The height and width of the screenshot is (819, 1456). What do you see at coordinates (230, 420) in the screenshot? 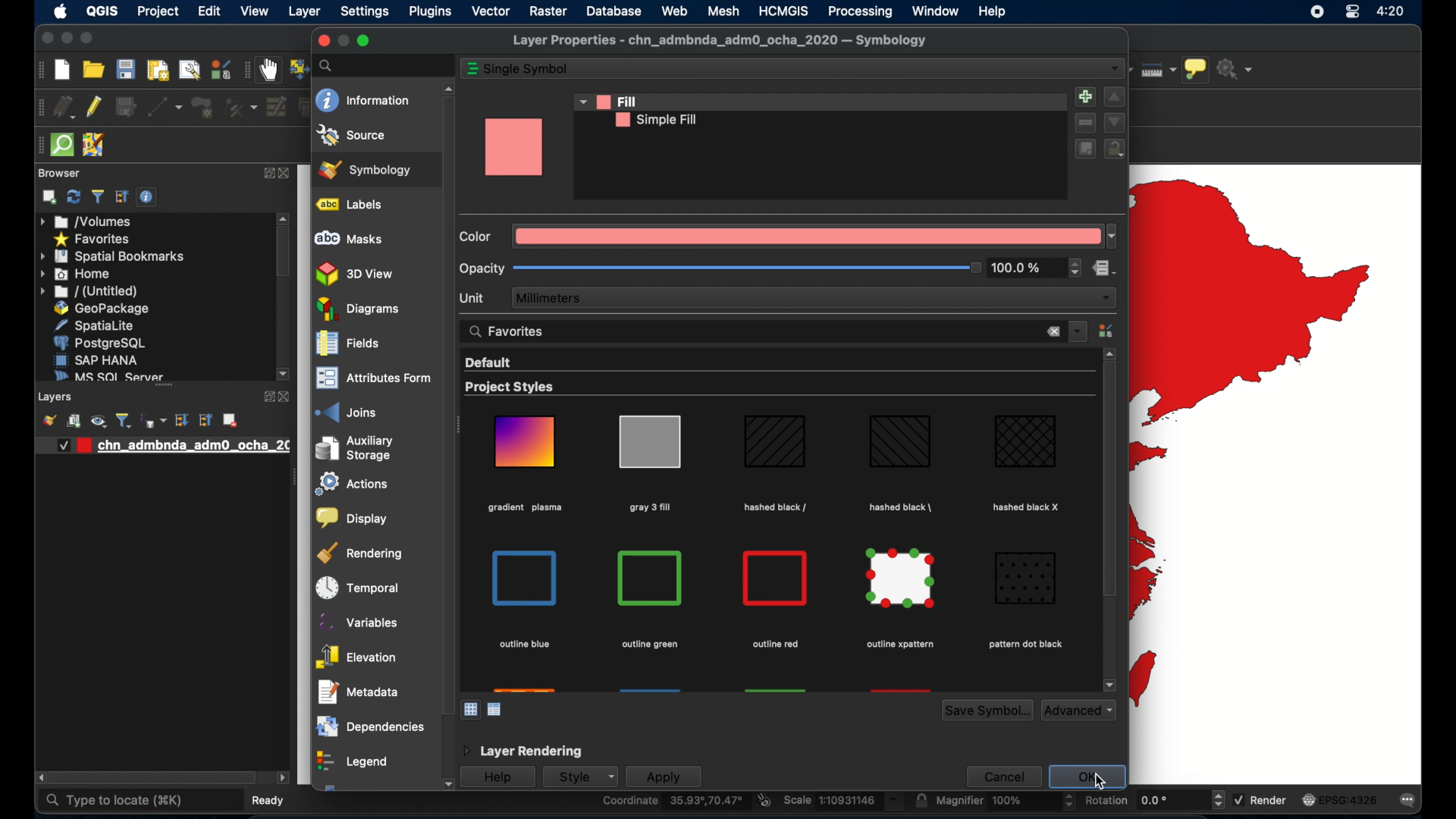
I see `remove layer/group` at bounding box center [230, 420].